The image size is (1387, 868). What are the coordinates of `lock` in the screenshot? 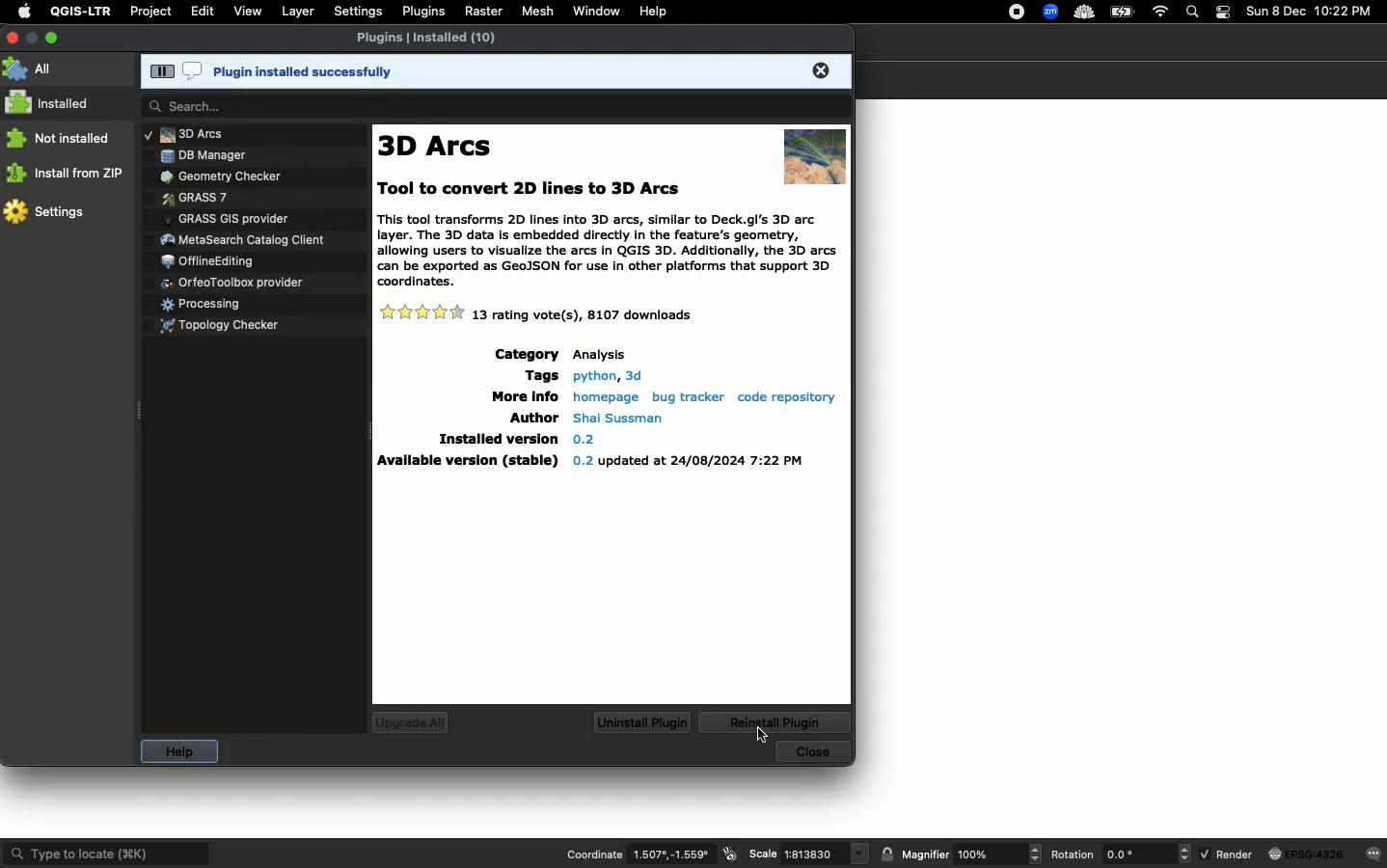 It's located at (887, 854).